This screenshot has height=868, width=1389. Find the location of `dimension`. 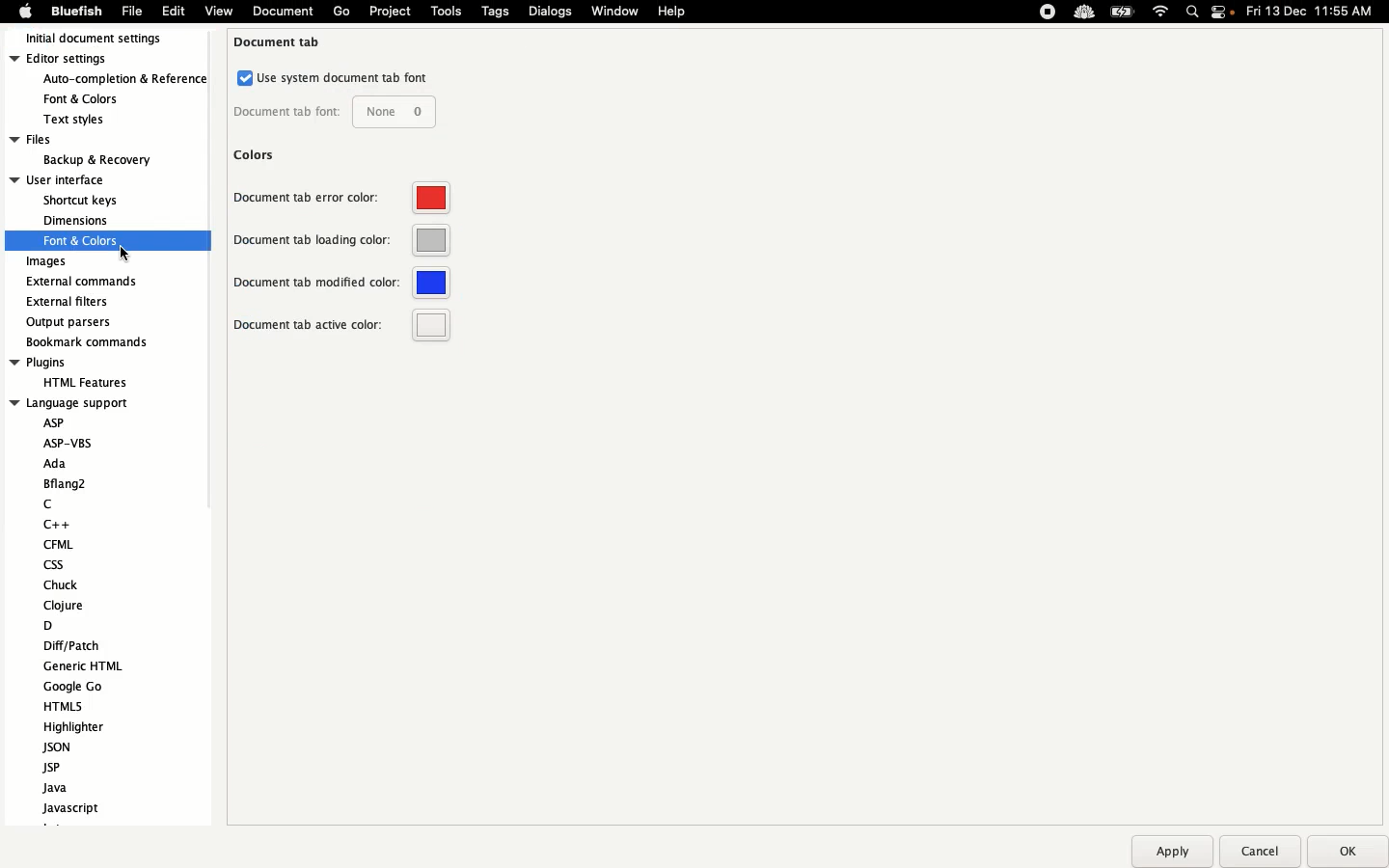

dimension is located at coordinates (75, 220).